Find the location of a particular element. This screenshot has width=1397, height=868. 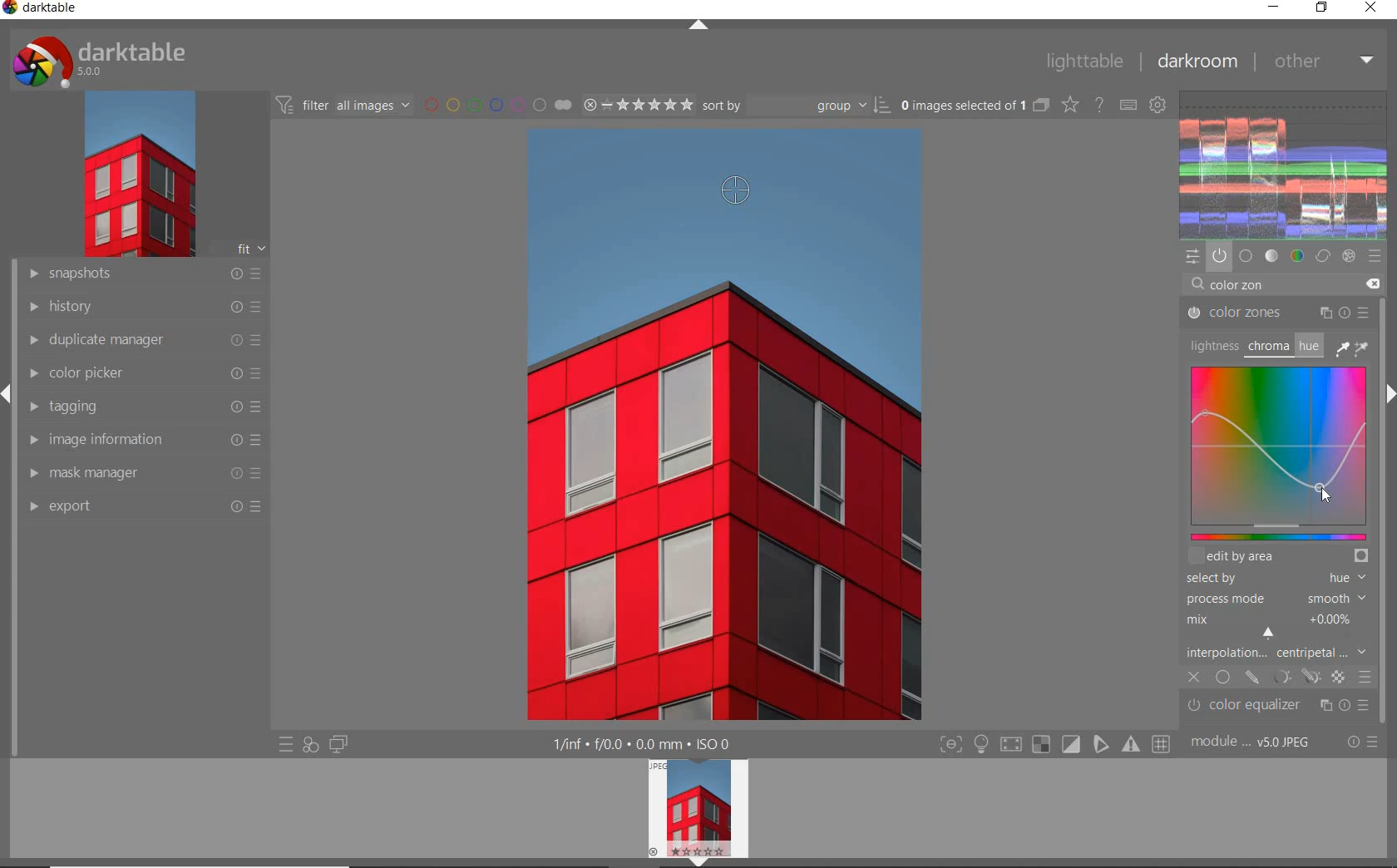

history is located at coordinates (141, 308).